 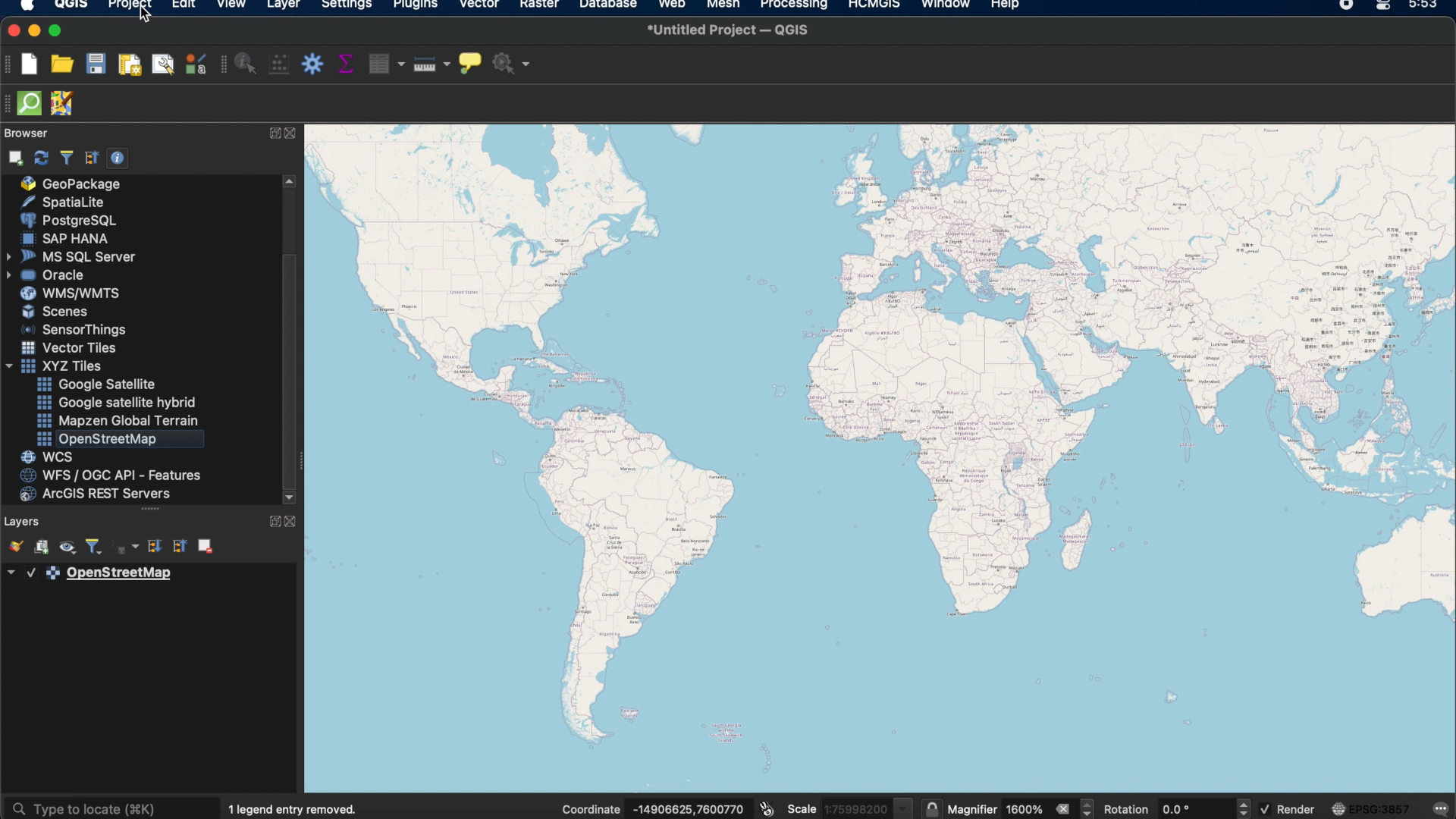 What do you see at coordinates (672, 6) in the screenshot?
I see `web` at bounding box center [672, 6].